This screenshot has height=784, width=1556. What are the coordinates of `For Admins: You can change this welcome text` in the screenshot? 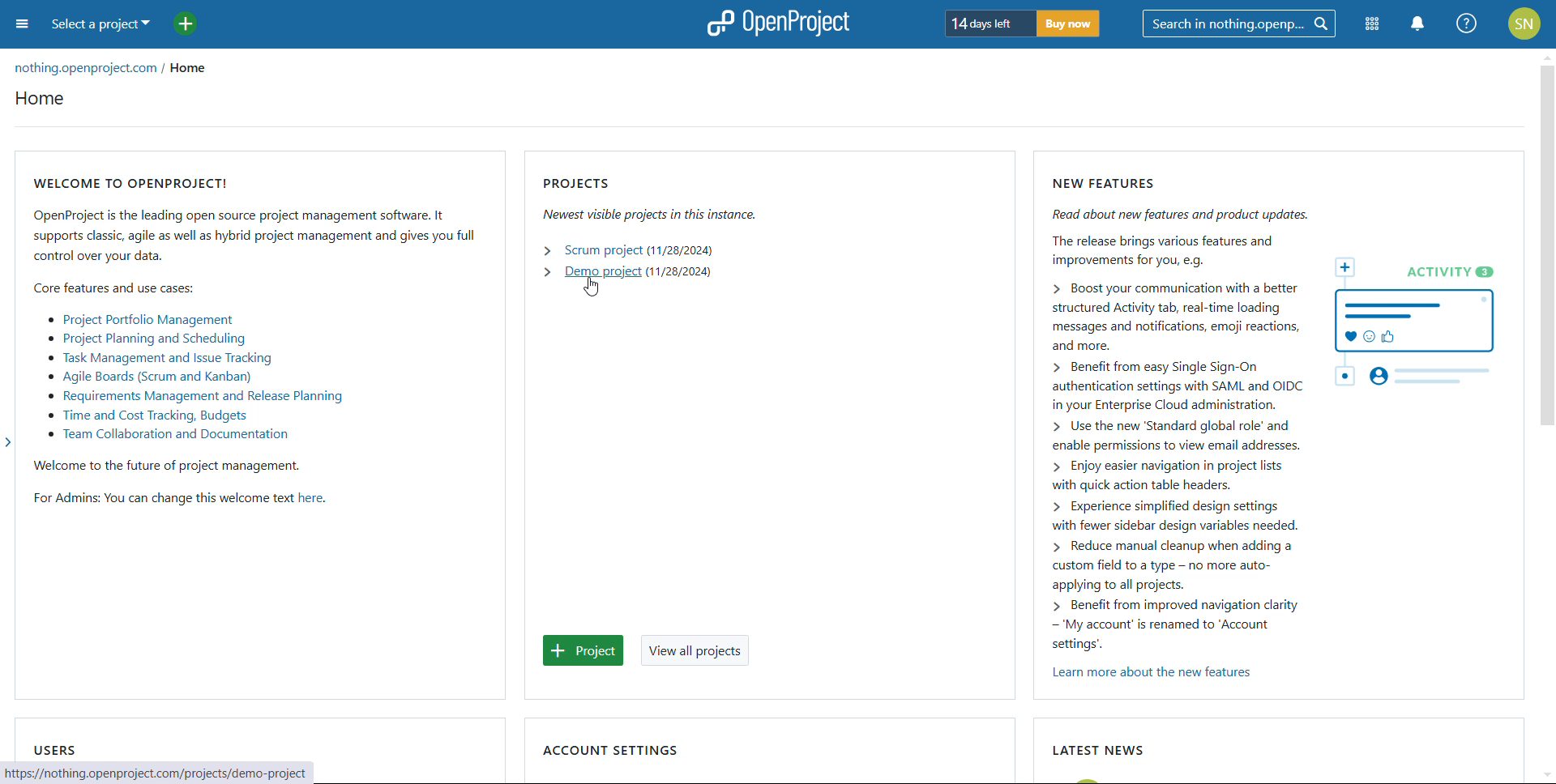 It's located at (164, 501).